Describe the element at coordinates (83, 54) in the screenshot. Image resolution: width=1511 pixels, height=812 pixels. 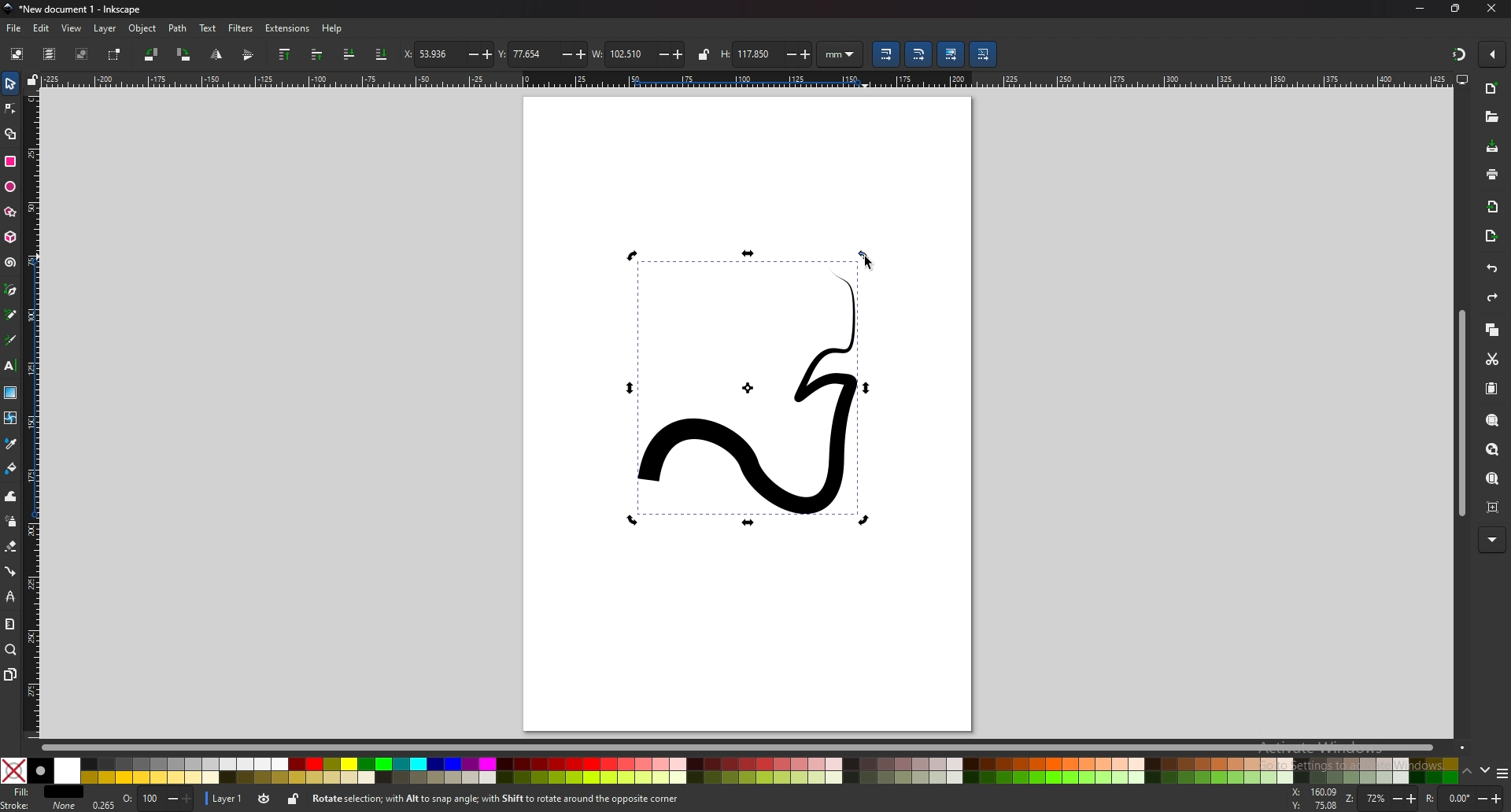
I see `deselect` at that location.